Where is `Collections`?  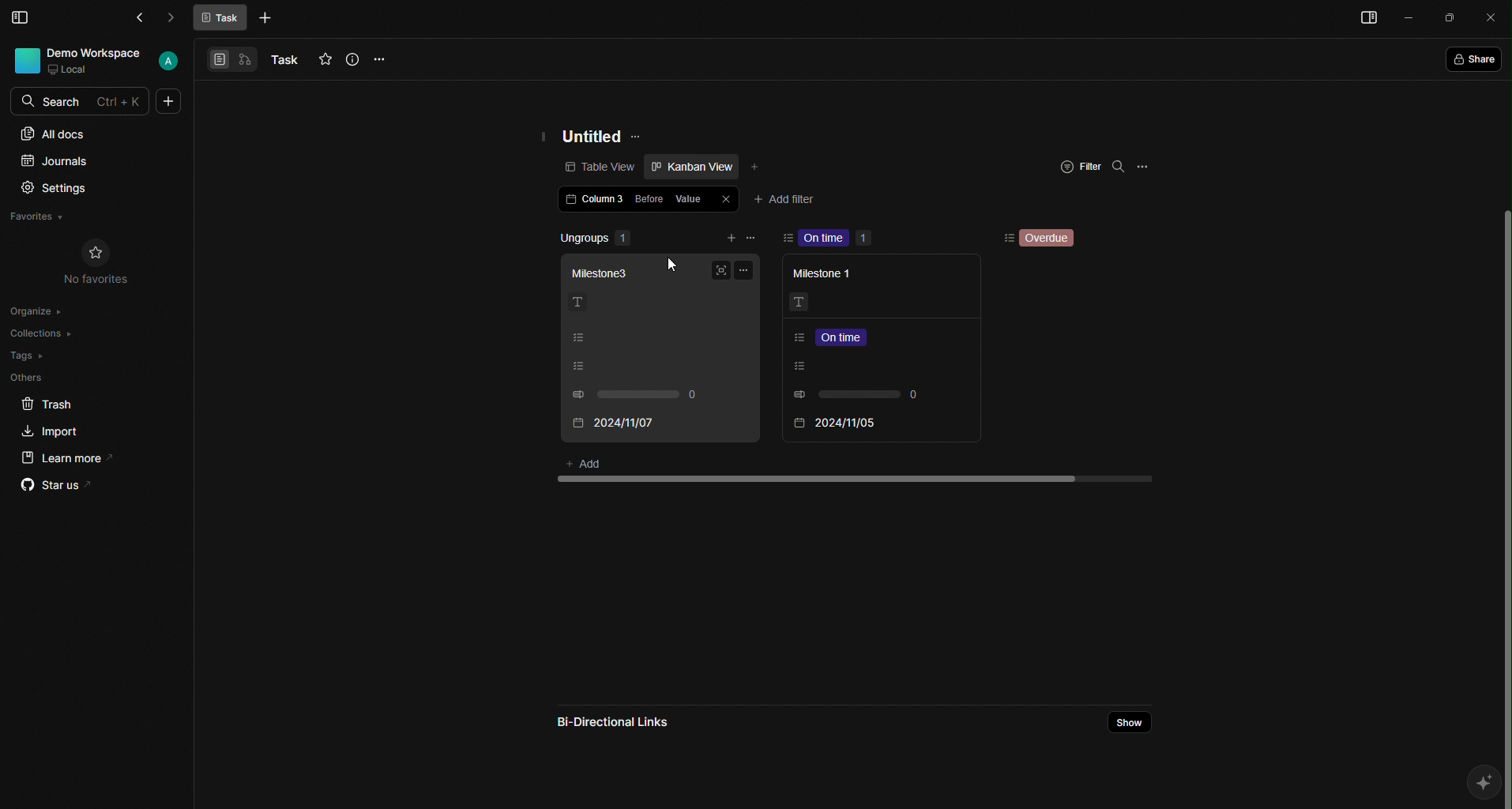 Collections is located at coordinates (44, 335).